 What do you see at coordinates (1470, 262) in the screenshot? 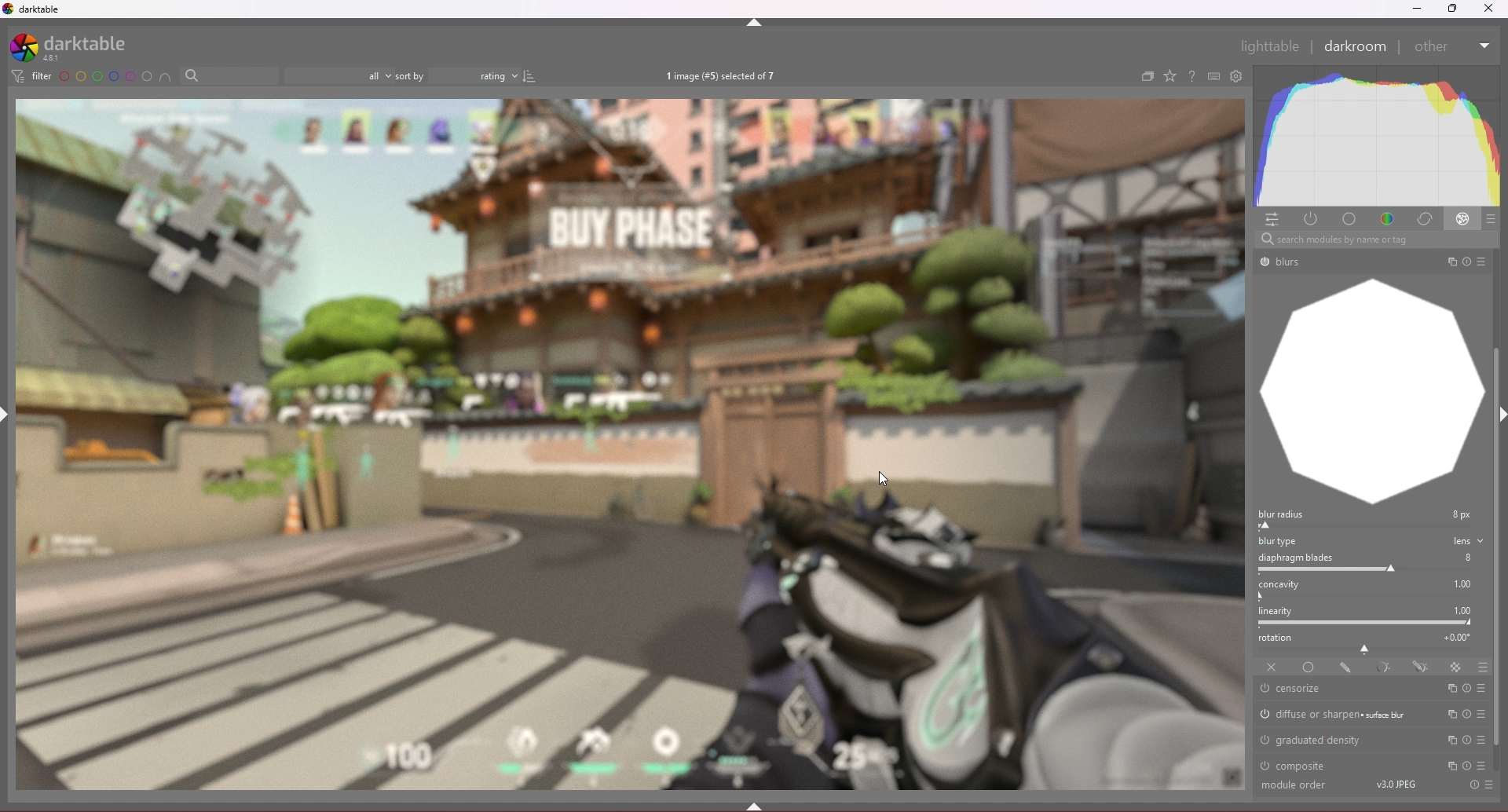
I see `` at bounding box center [1470, 262].